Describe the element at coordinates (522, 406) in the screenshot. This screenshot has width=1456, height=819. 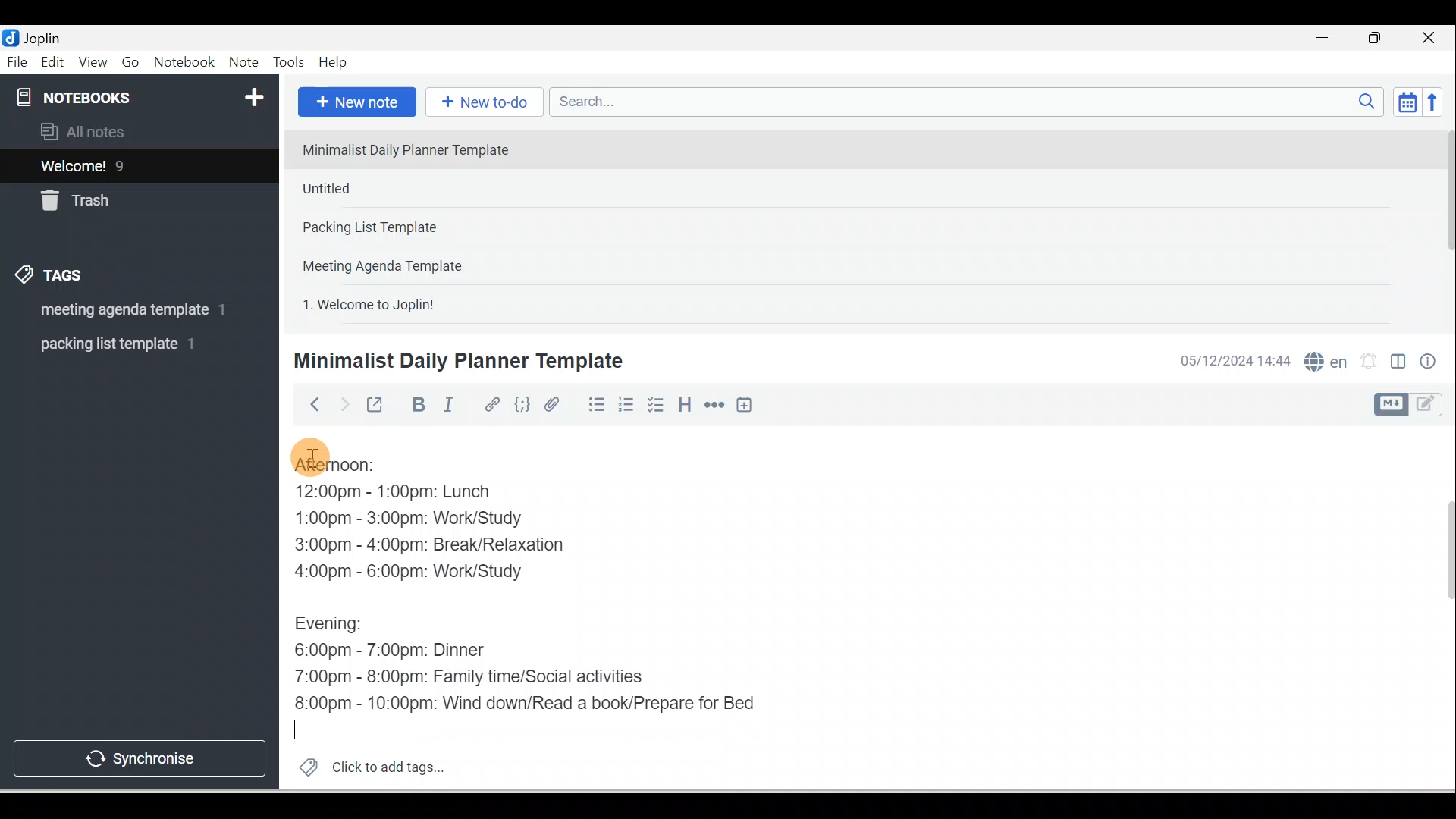
I see `Code` at that location.